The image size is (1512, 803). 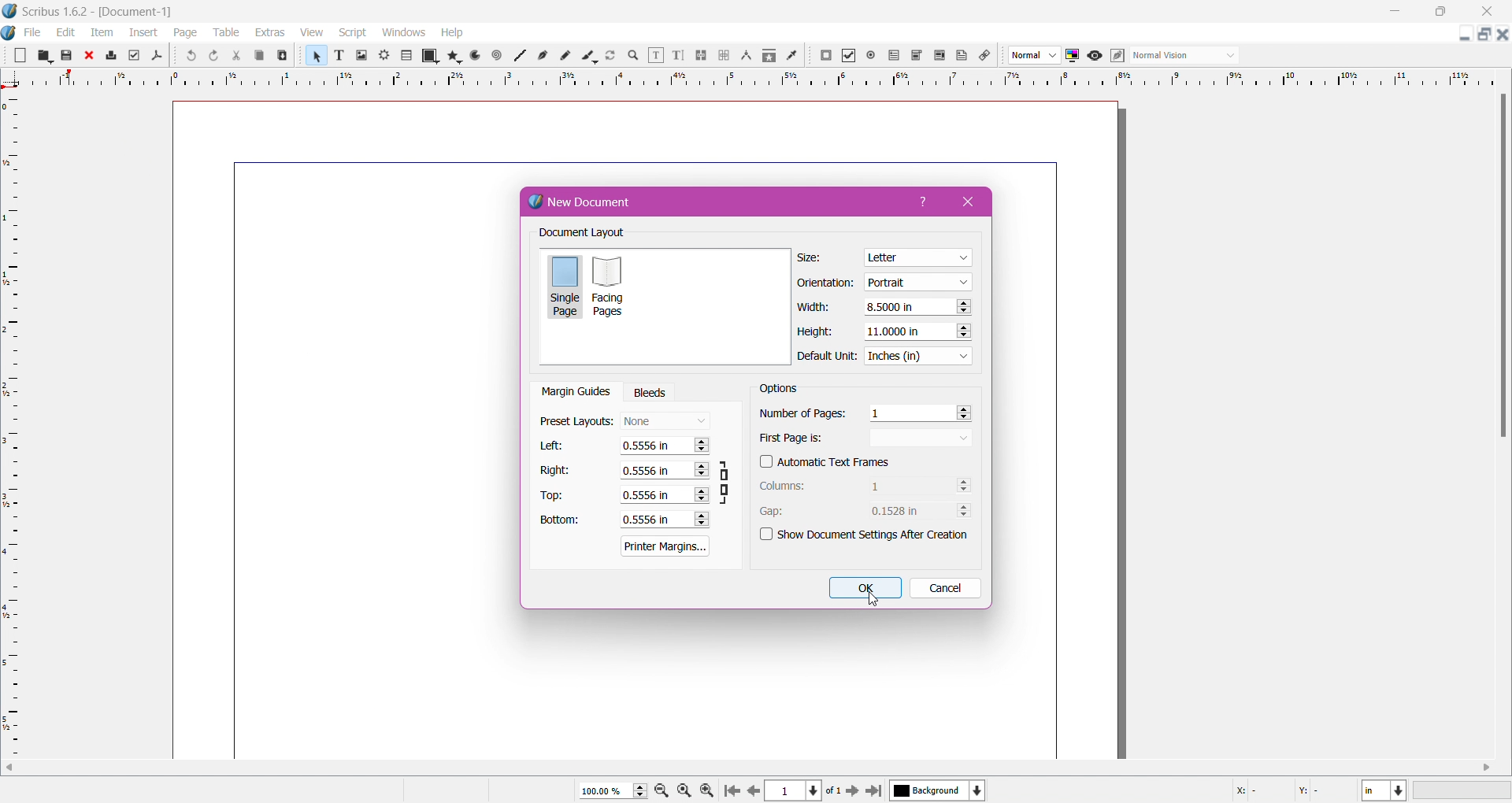 I want to click on Extras, so click(x=270, y=33).